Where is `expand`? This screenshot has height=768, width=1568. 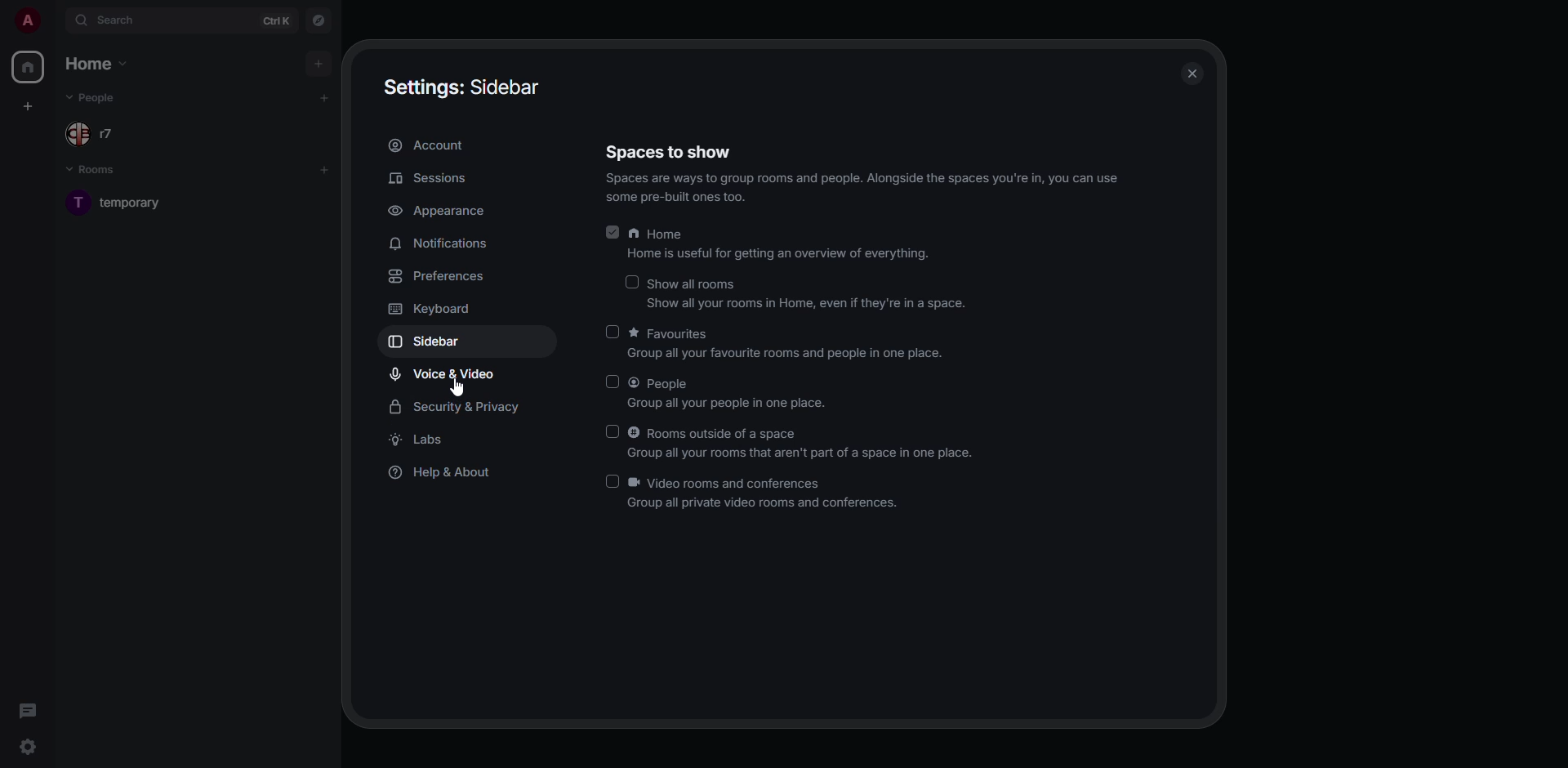
expand is located at coordinates (56, 20).